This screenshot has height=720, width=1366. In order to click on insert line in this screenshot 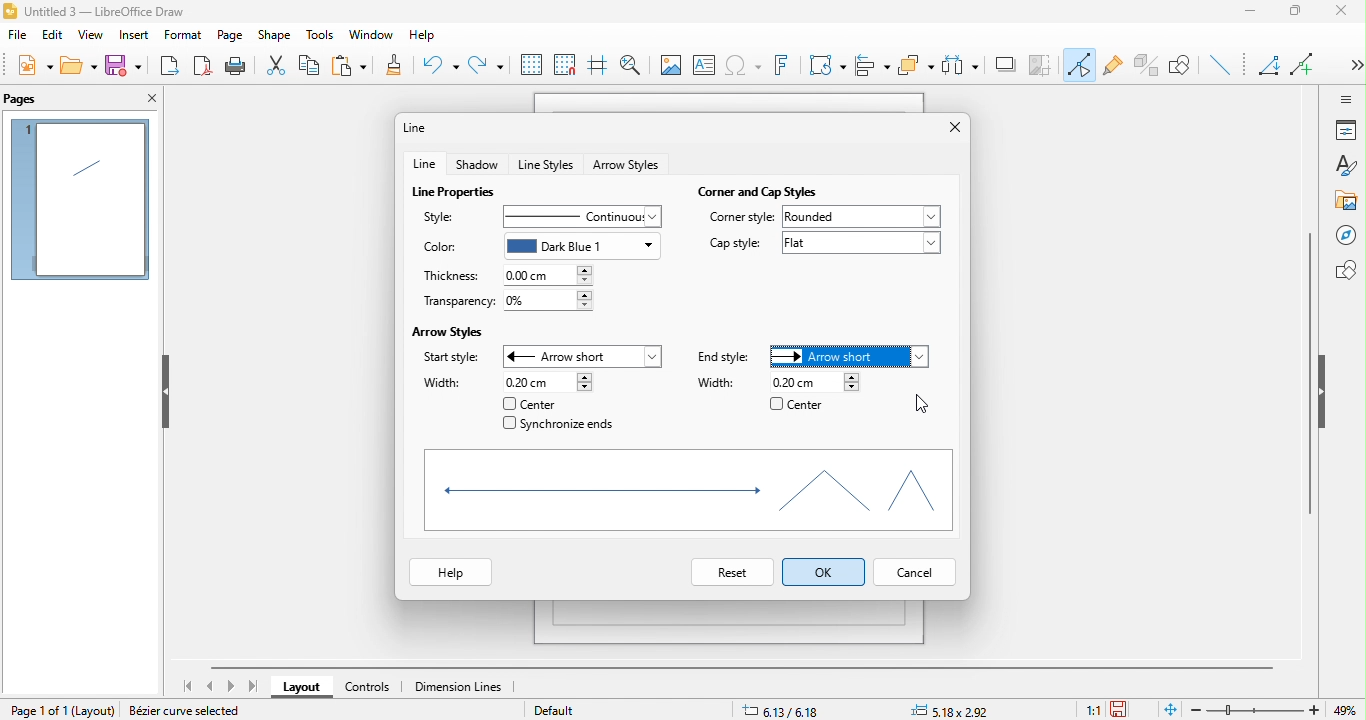, I will do `click(1224, 66)`.